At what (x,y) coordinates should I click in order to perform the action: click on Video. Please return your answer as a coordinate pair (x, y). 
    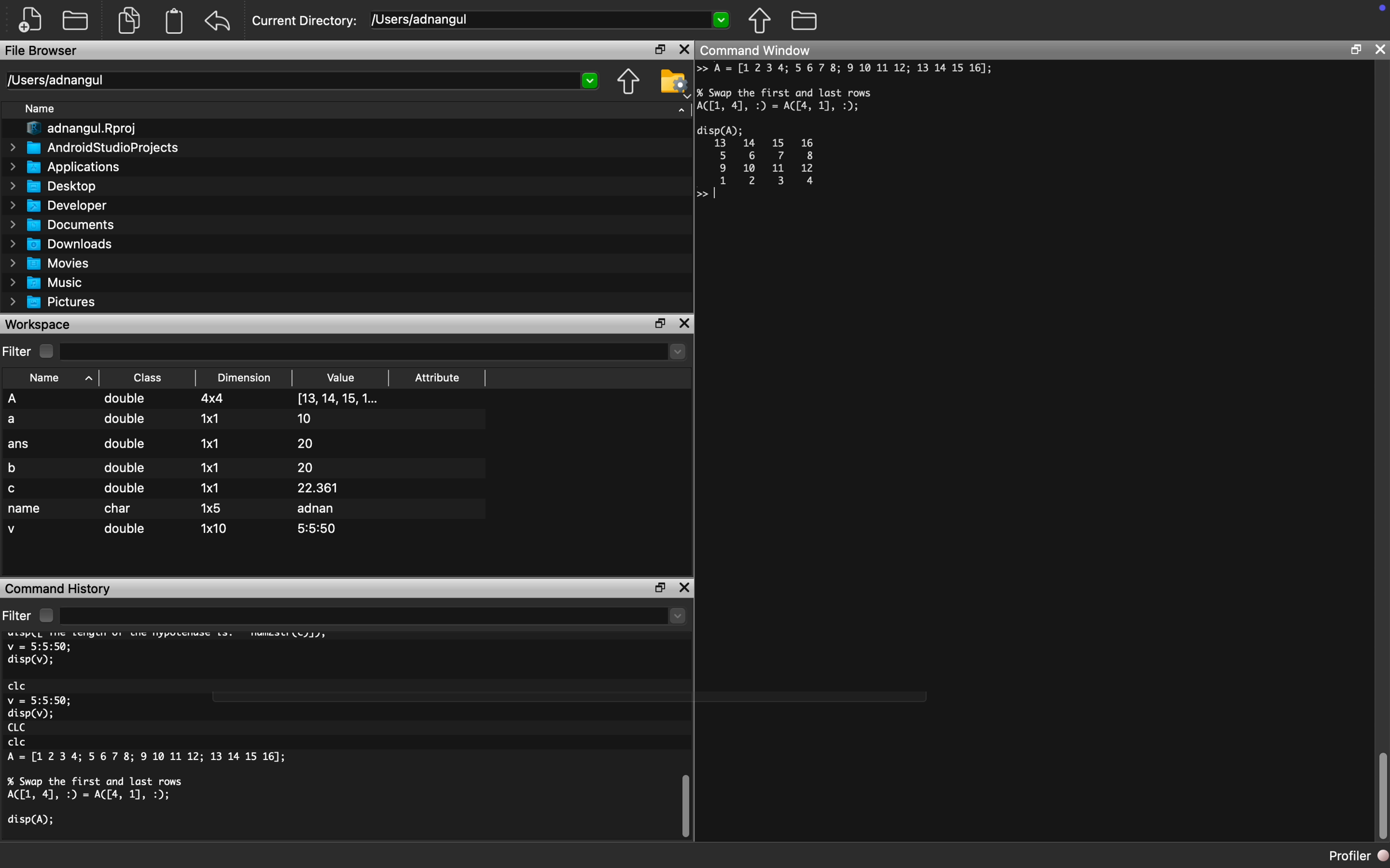
    Looking at the image, I should click on (349, 375).